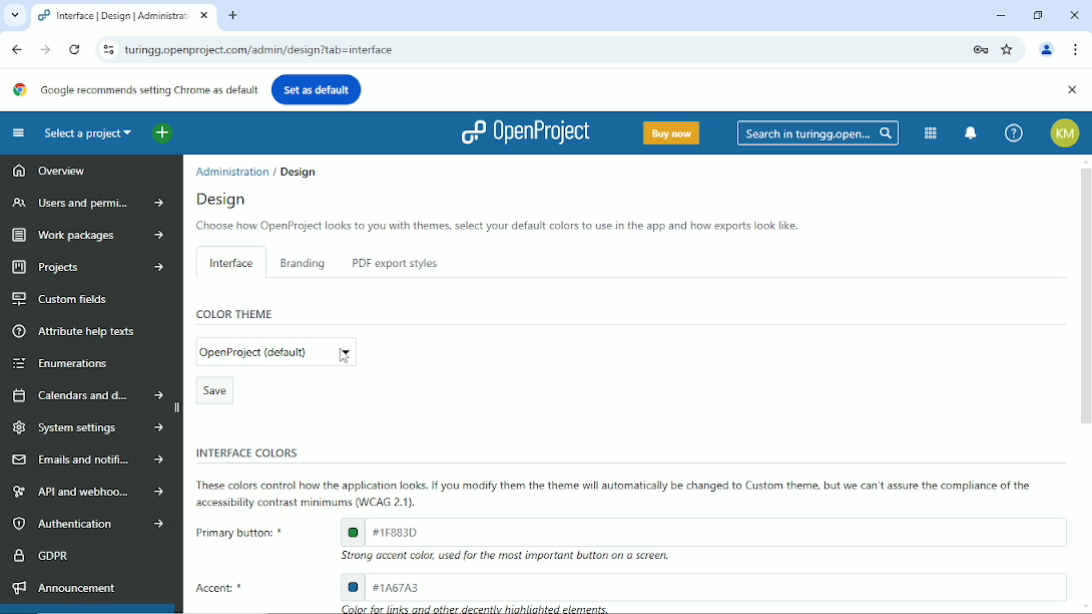 This screenshot has width=1092, height=614. What do you see at coordinates (87, 460) in the screenshot?
I see `Emails and notifications` at bounding box center [87, 460].